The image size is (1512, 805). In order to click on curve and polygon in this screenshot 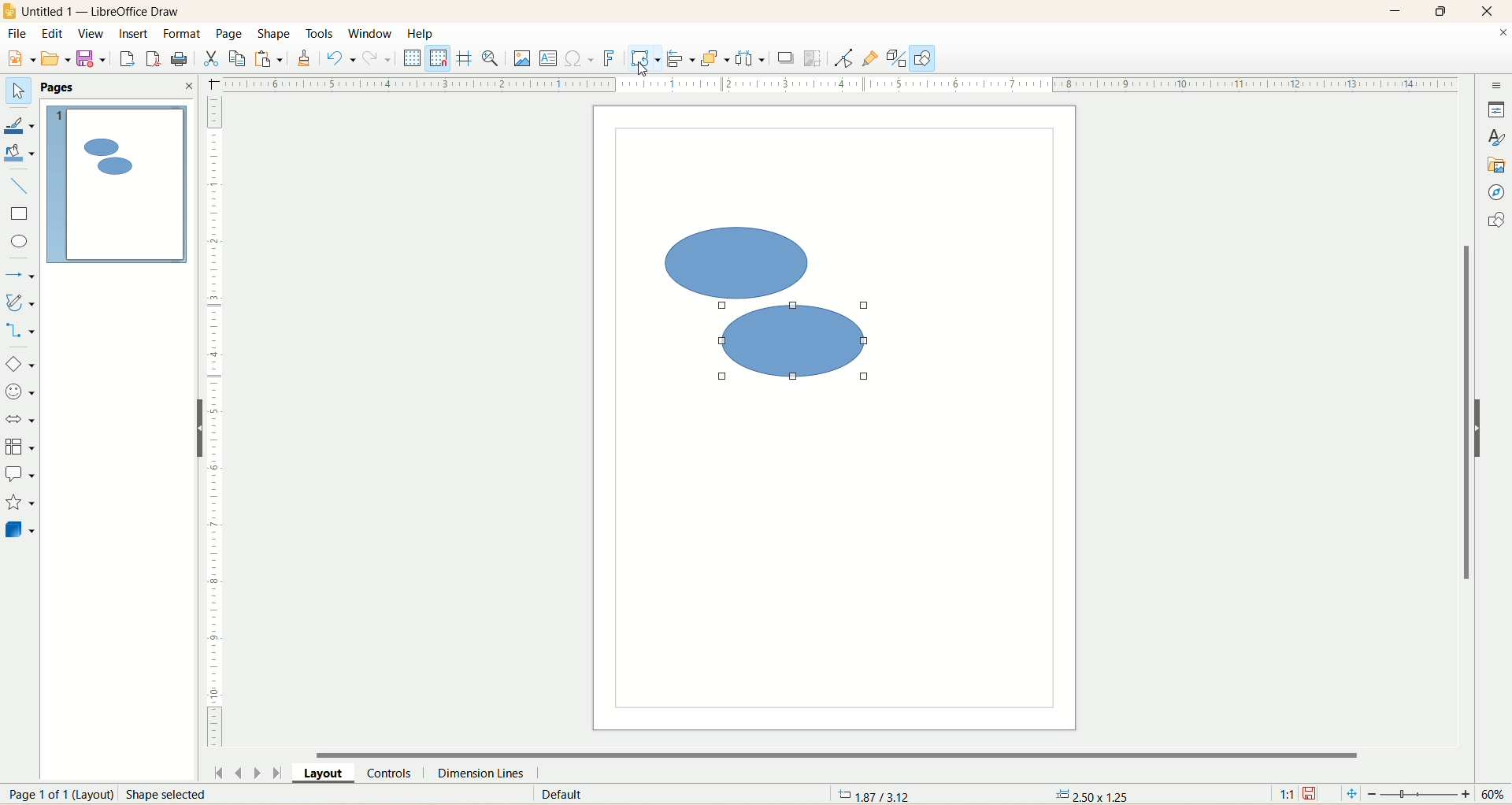, I will do `click(20, 302)`.